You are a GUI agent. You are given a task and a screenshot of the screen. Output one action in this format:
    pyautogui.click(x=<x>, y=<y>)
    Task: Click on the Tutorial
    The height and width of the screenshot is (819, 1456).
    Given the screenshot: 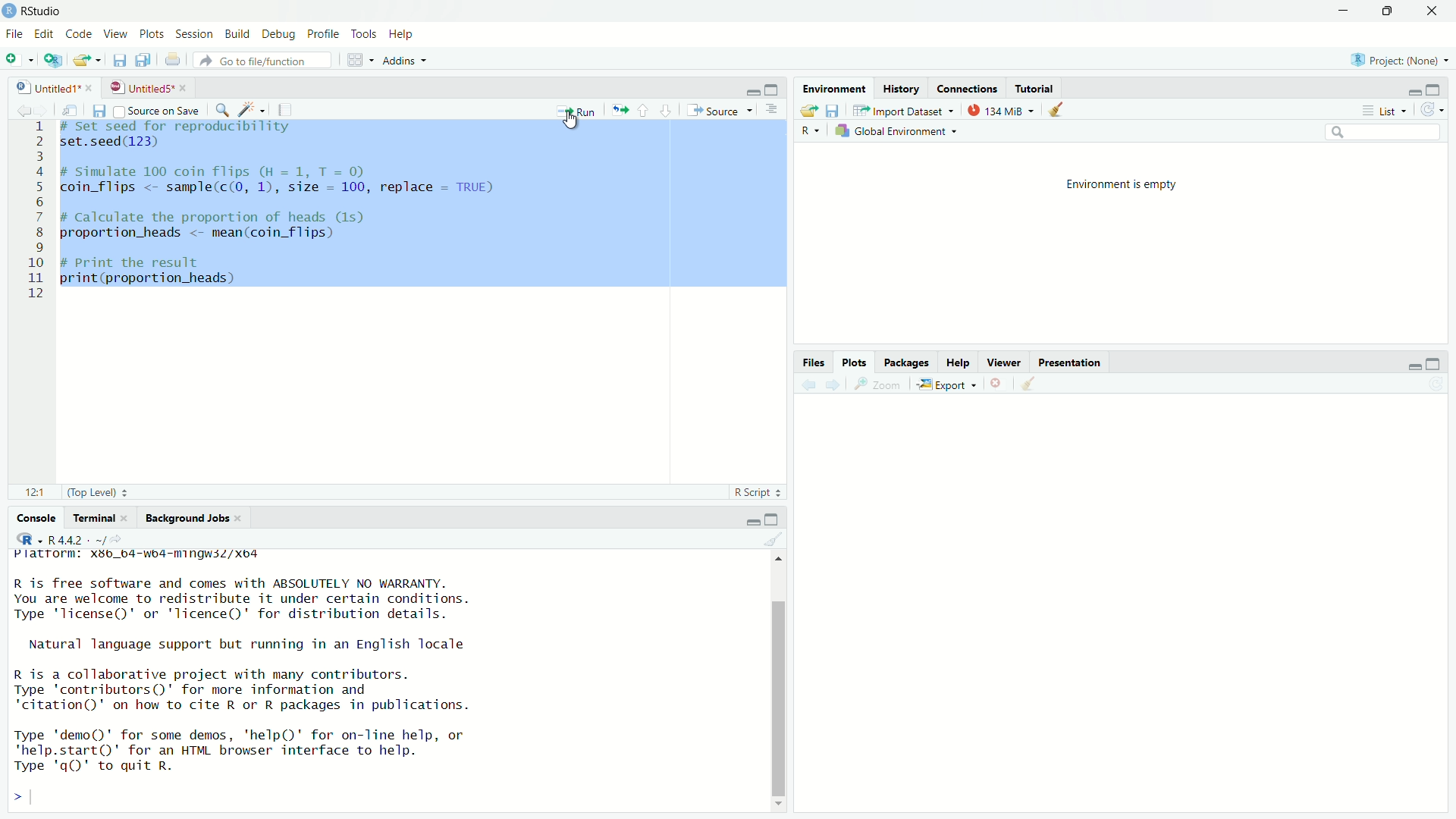 What is the action you would take?
    pyautogui.click(x=1034, y=86)
    